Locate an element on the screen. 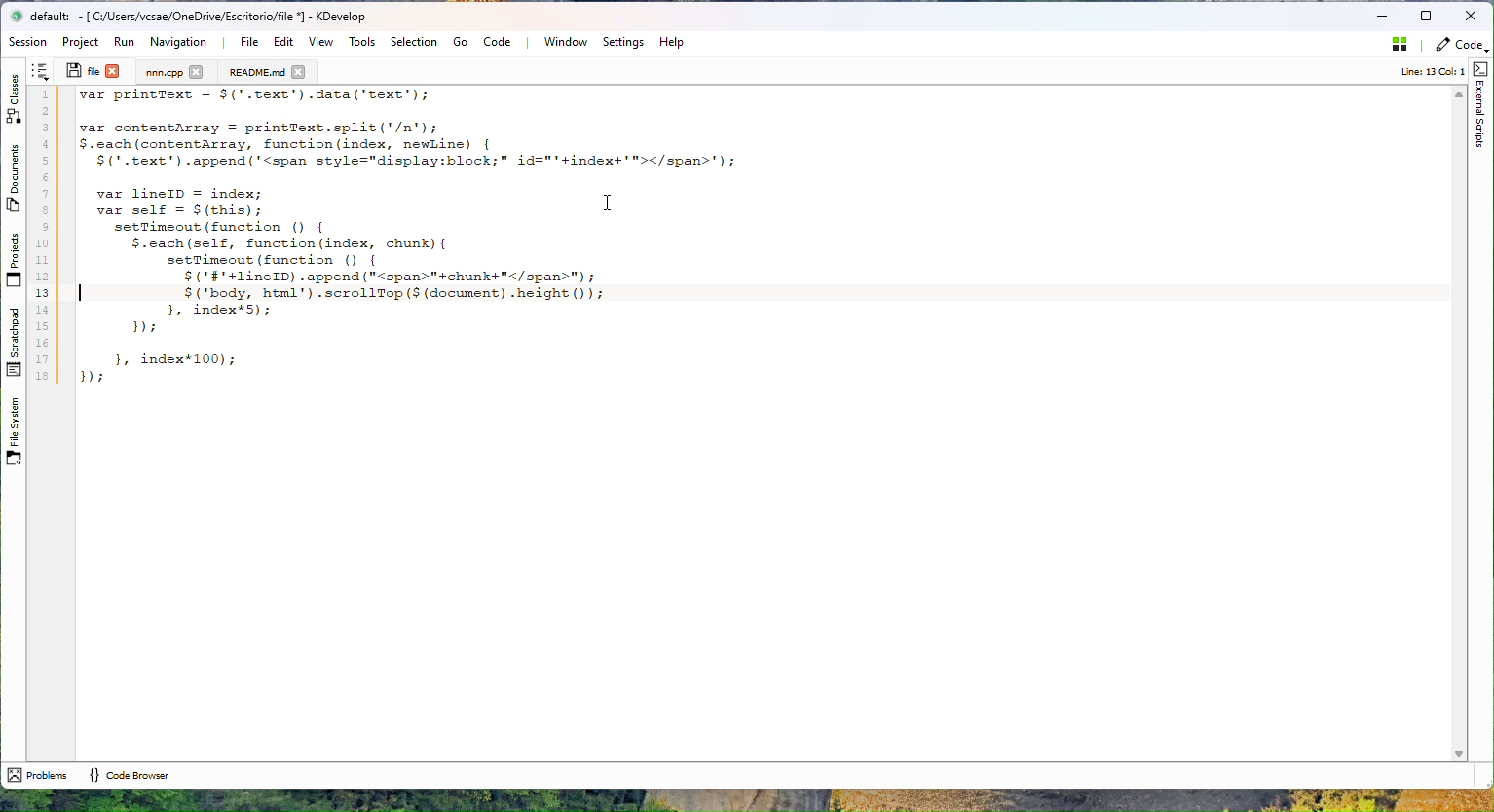 The image size is (1494, 812). line numbers is located at coordinates (42, 237).